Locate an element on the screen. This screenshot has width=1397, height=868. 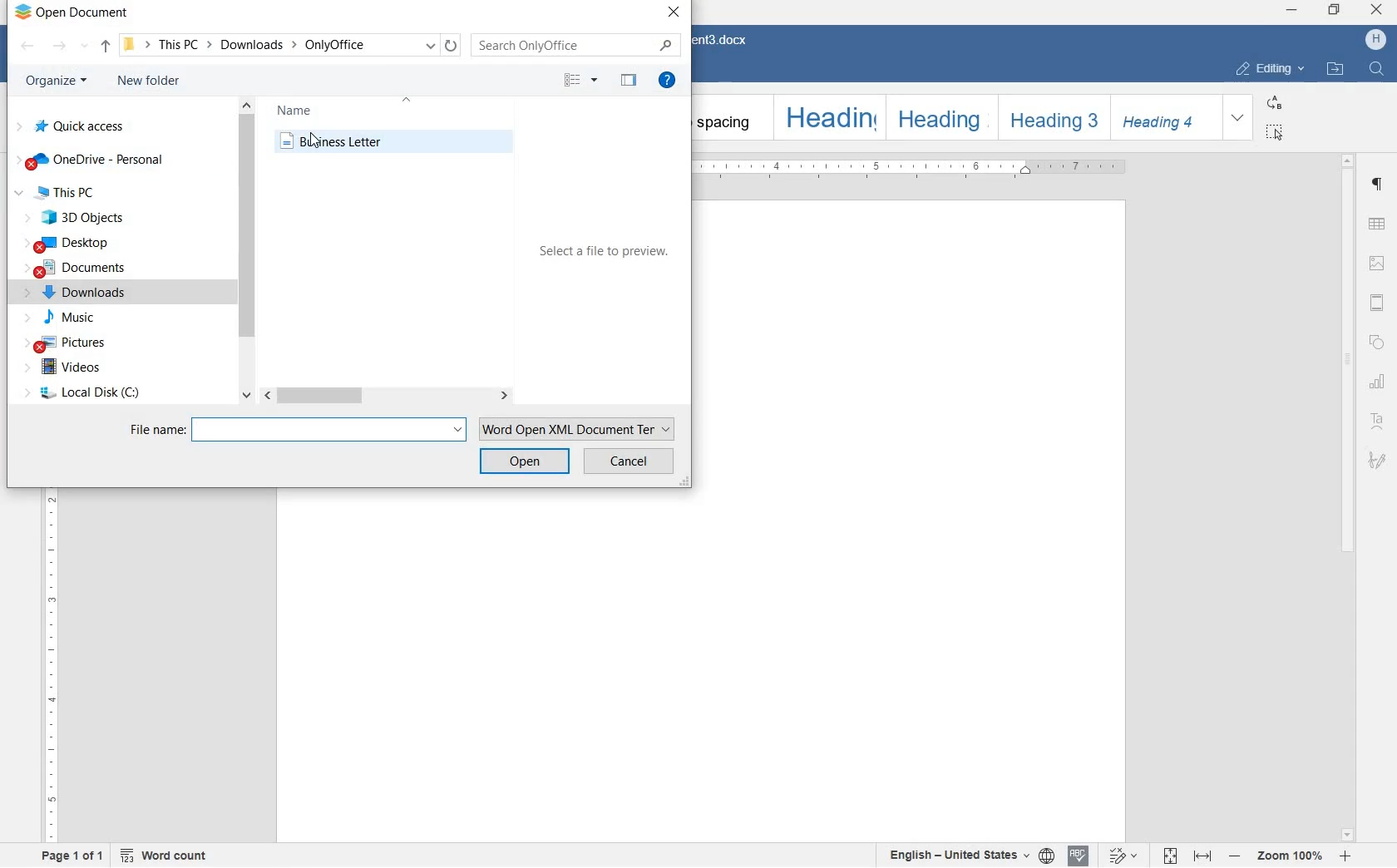
ruler is located at coordinates (57, 671).